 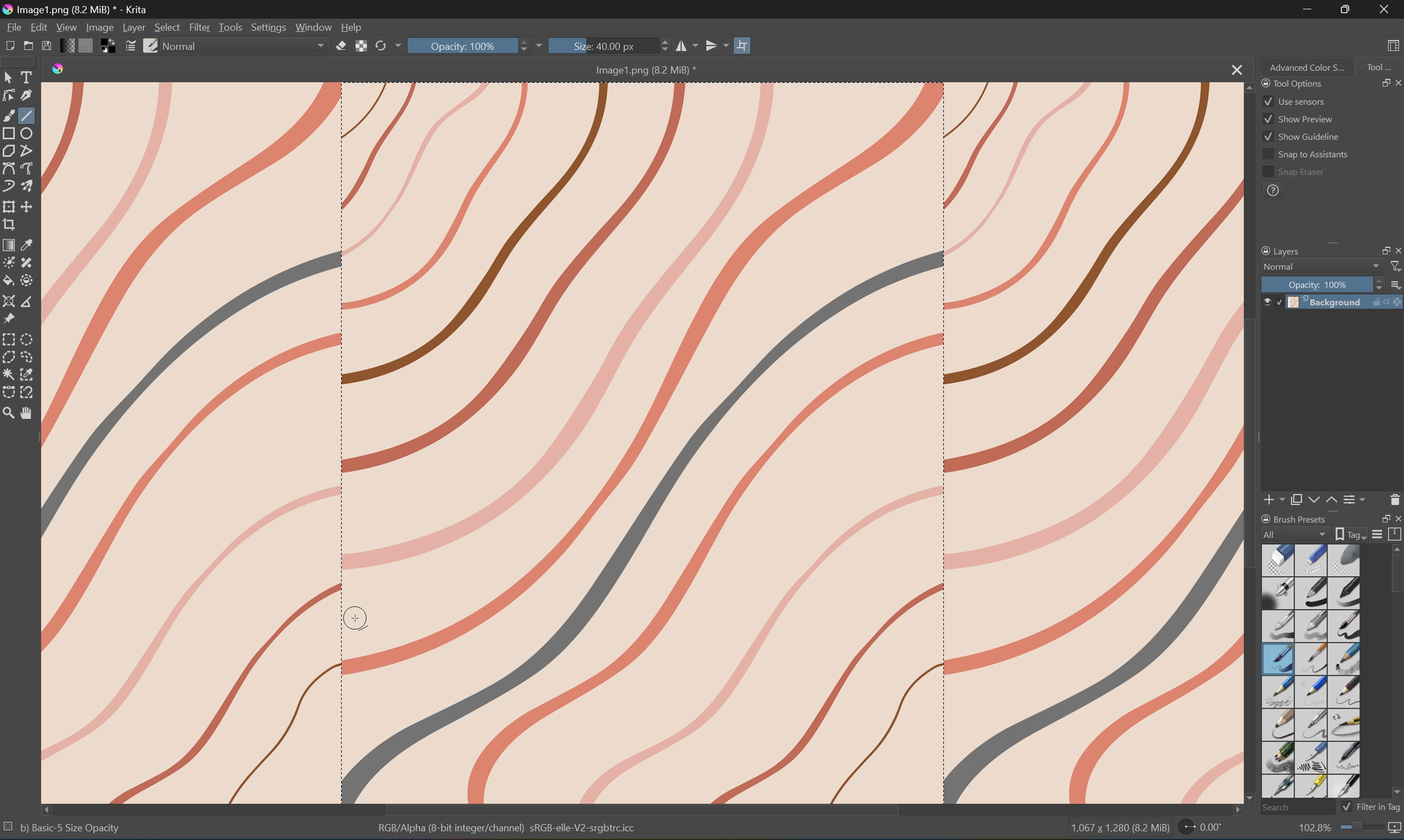 I want to click on Multibrush tool, so click(x=29, y=185).